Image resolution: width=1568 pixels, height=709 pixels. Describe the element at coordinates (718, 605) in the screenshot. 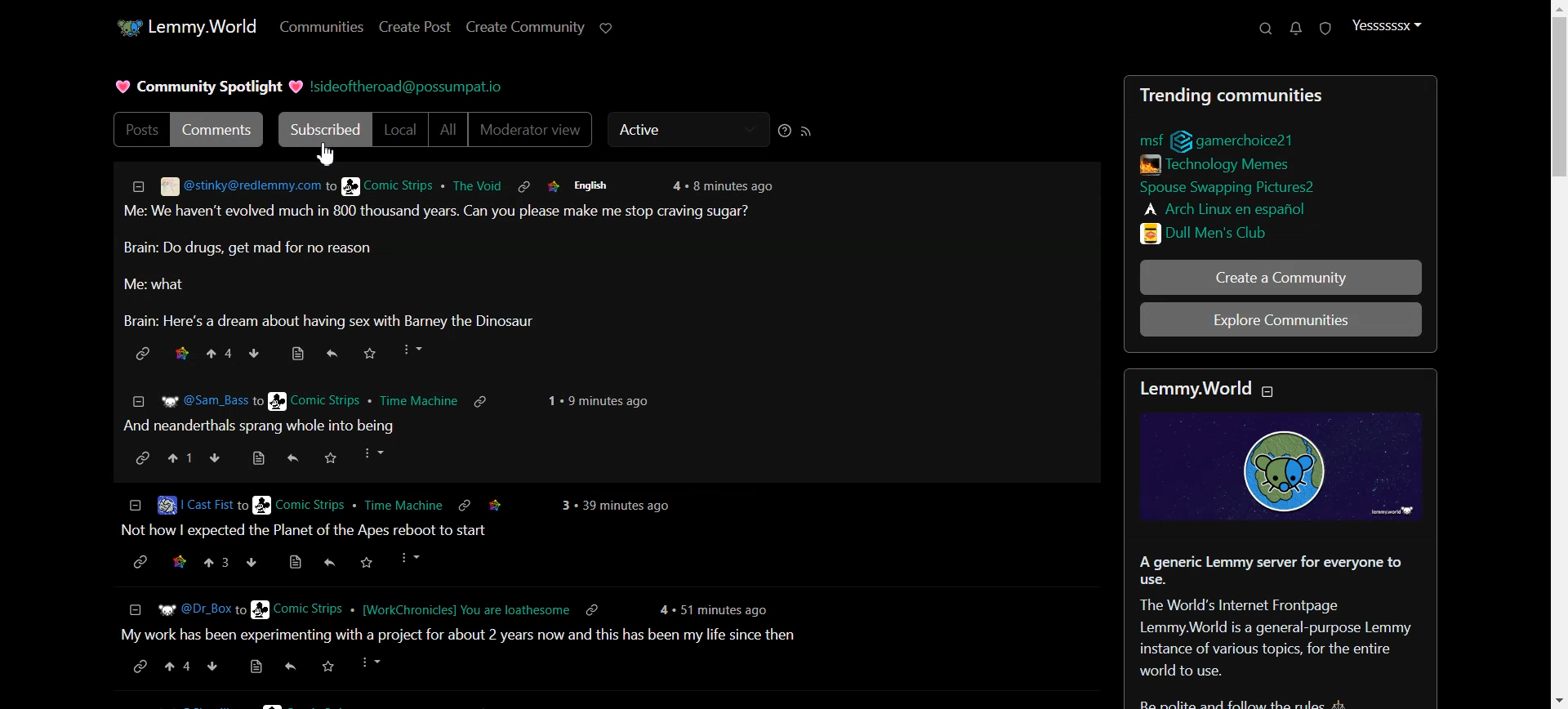

I see `time` at that location.